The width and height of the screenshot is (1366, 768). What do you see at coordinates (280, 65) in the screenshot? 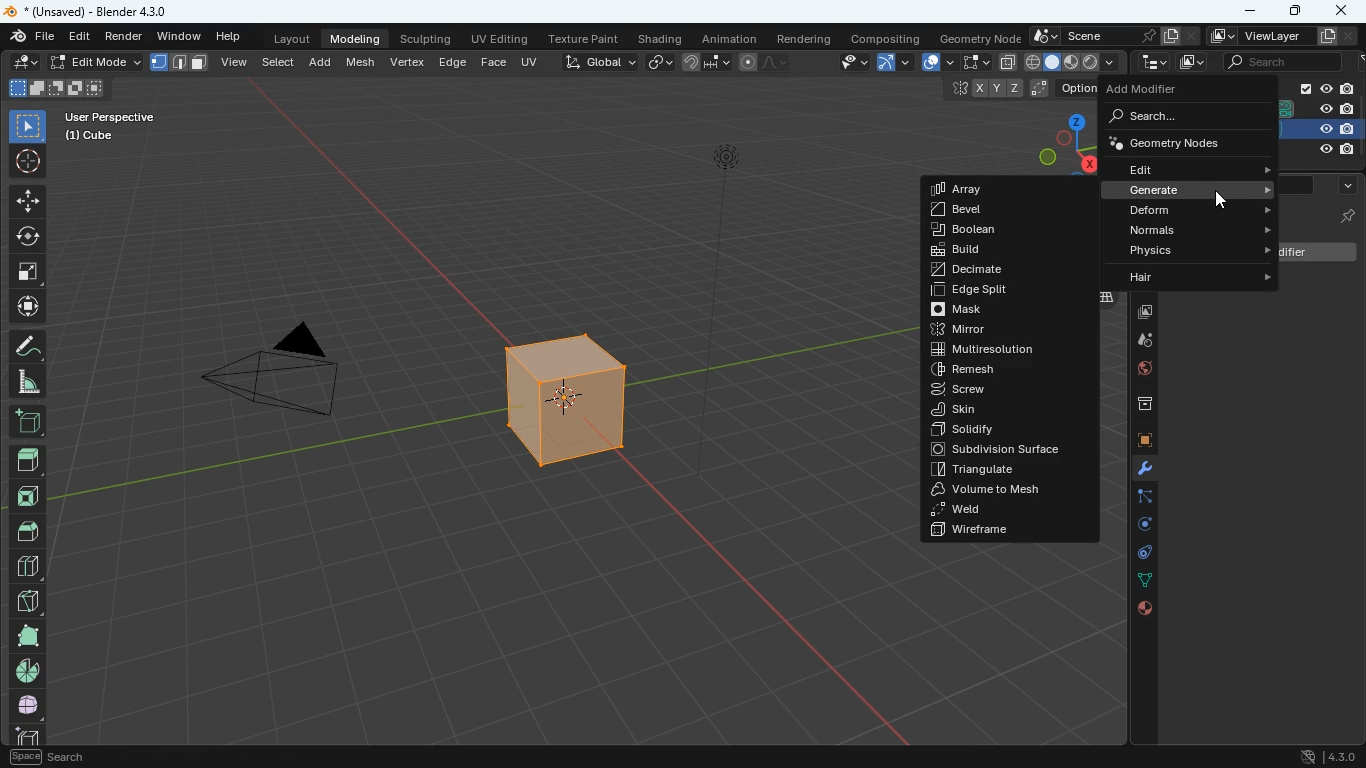
I see `select` at bounding box center [280, 65].